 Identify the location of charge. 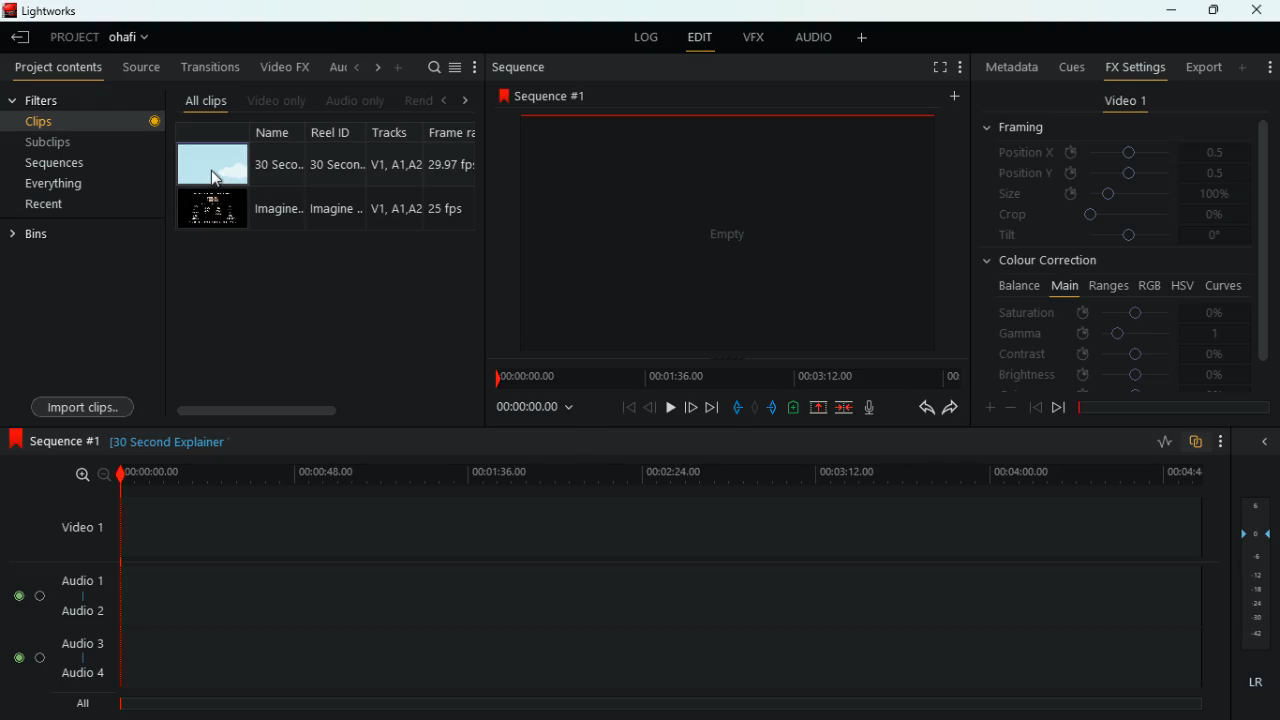
(794, 407).